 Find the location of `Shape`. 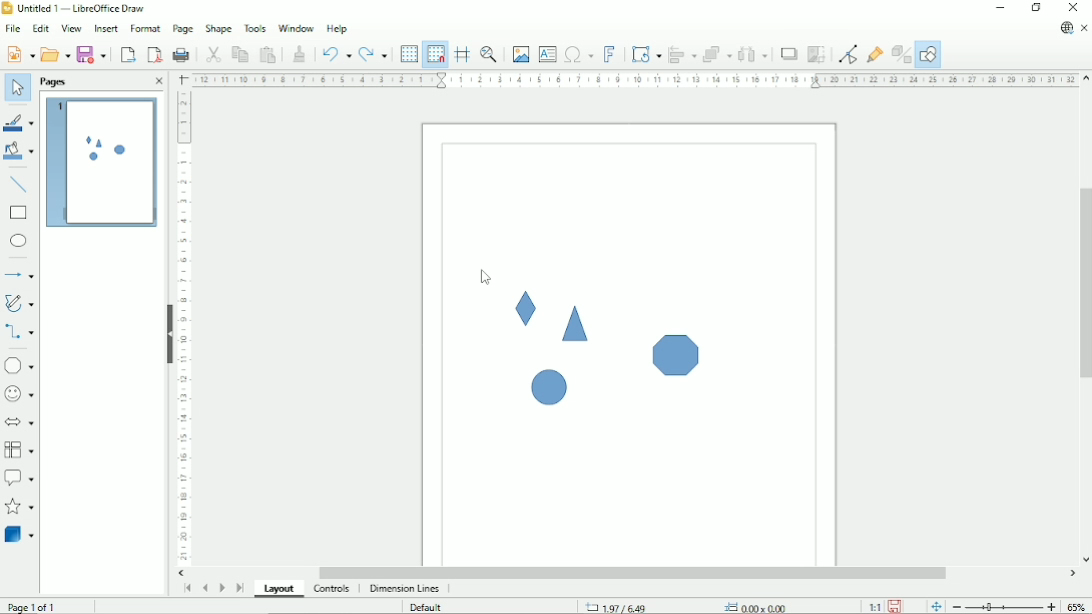

Shape is located at coordinates (575, 325).